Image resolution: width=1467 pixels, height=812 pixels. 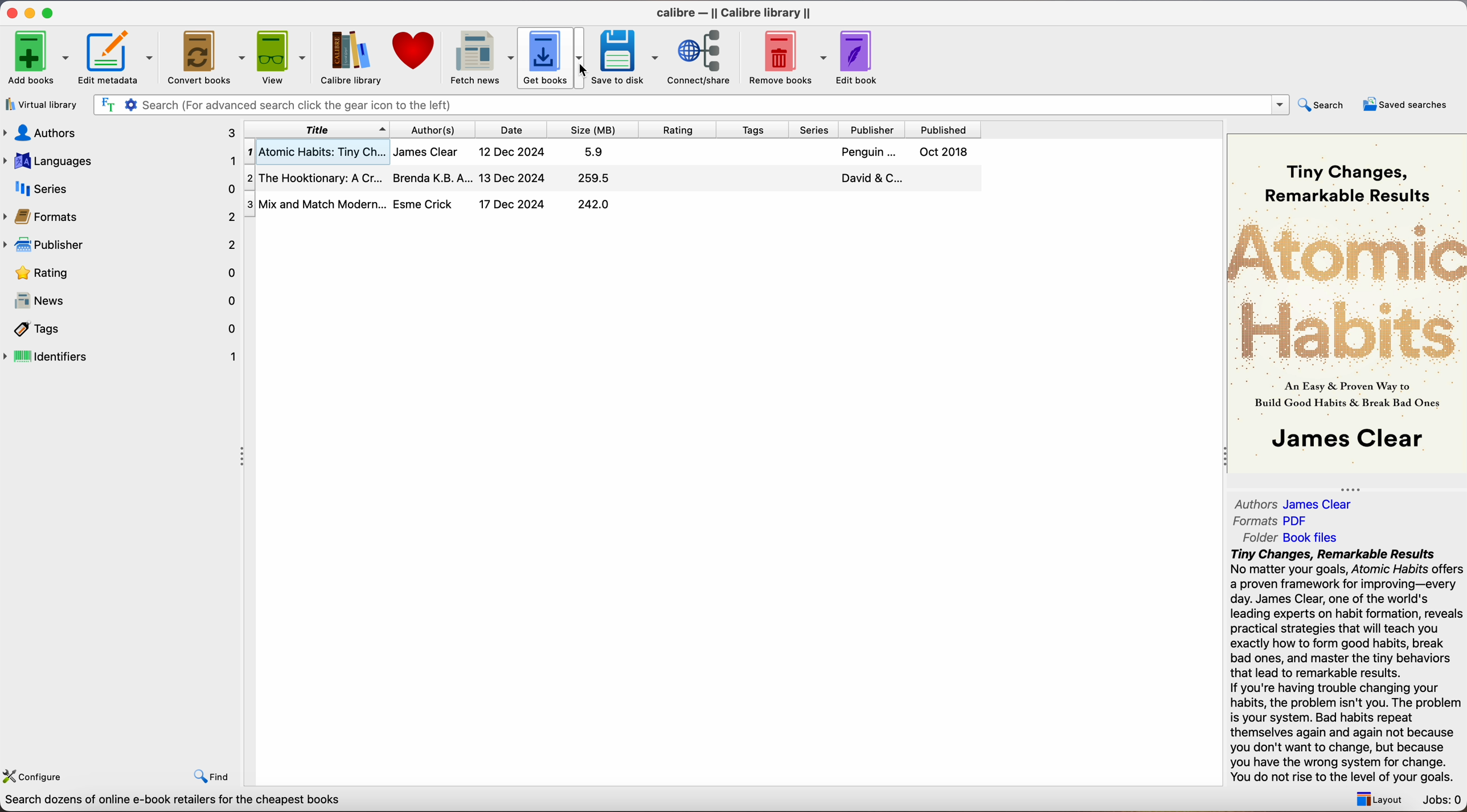 I want to click on tags, so click(x=755, y=130).